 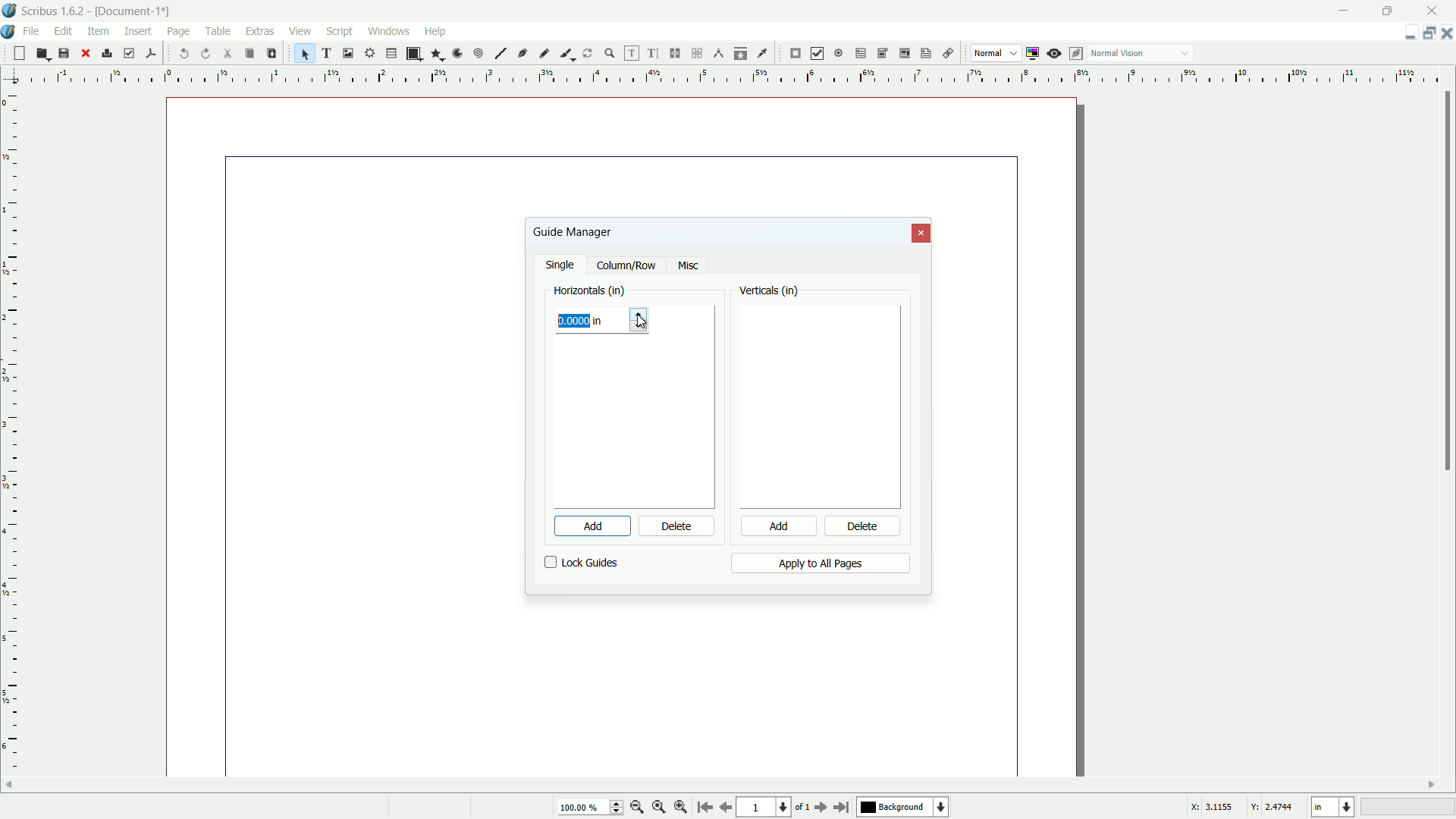 What do you see at coordinates (347, 52) in the screenshot?
I see `image frame` at bounding box center [347, 52].